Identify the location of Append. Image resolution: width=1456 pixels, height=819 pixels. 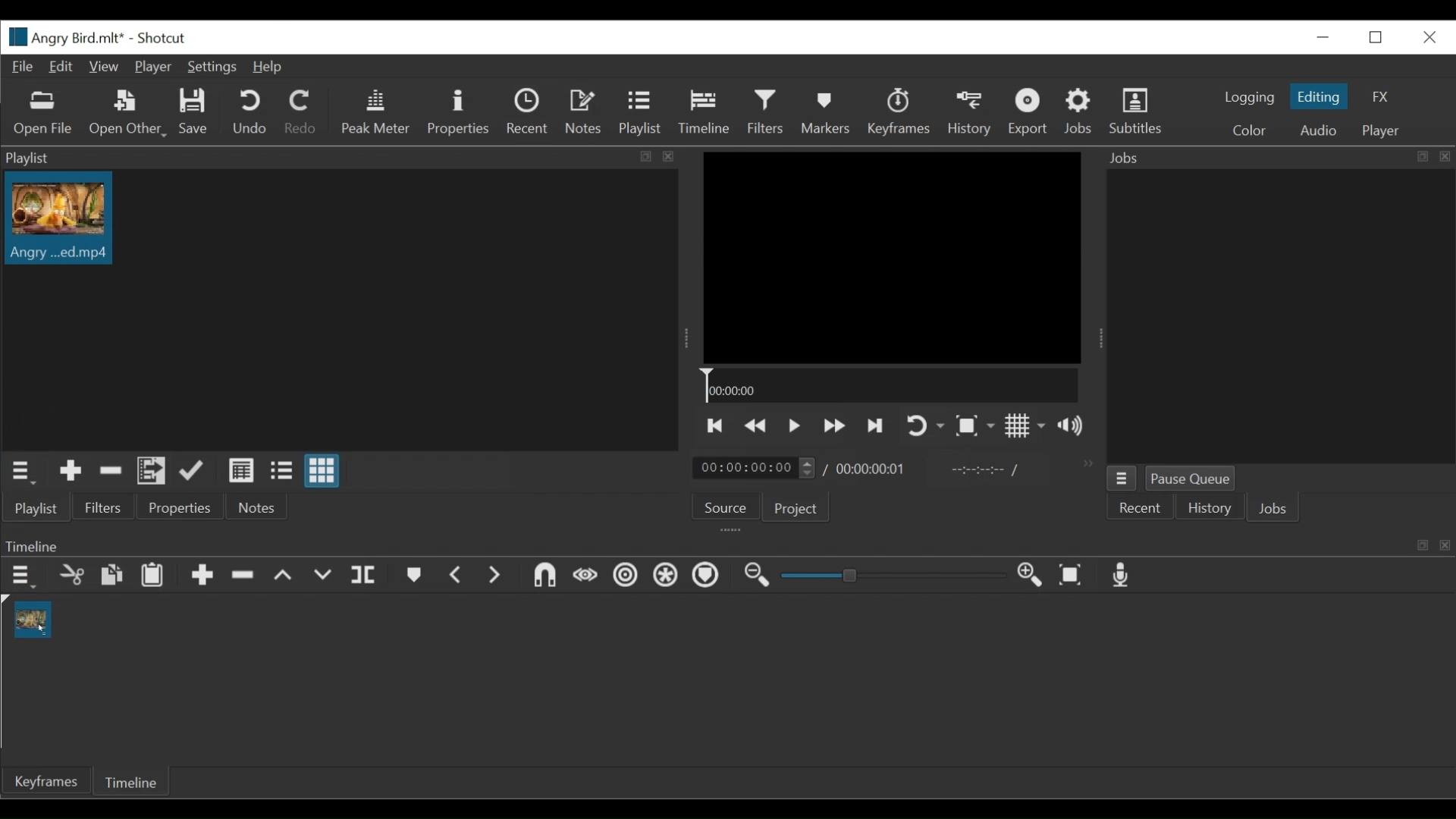
(204, 575).